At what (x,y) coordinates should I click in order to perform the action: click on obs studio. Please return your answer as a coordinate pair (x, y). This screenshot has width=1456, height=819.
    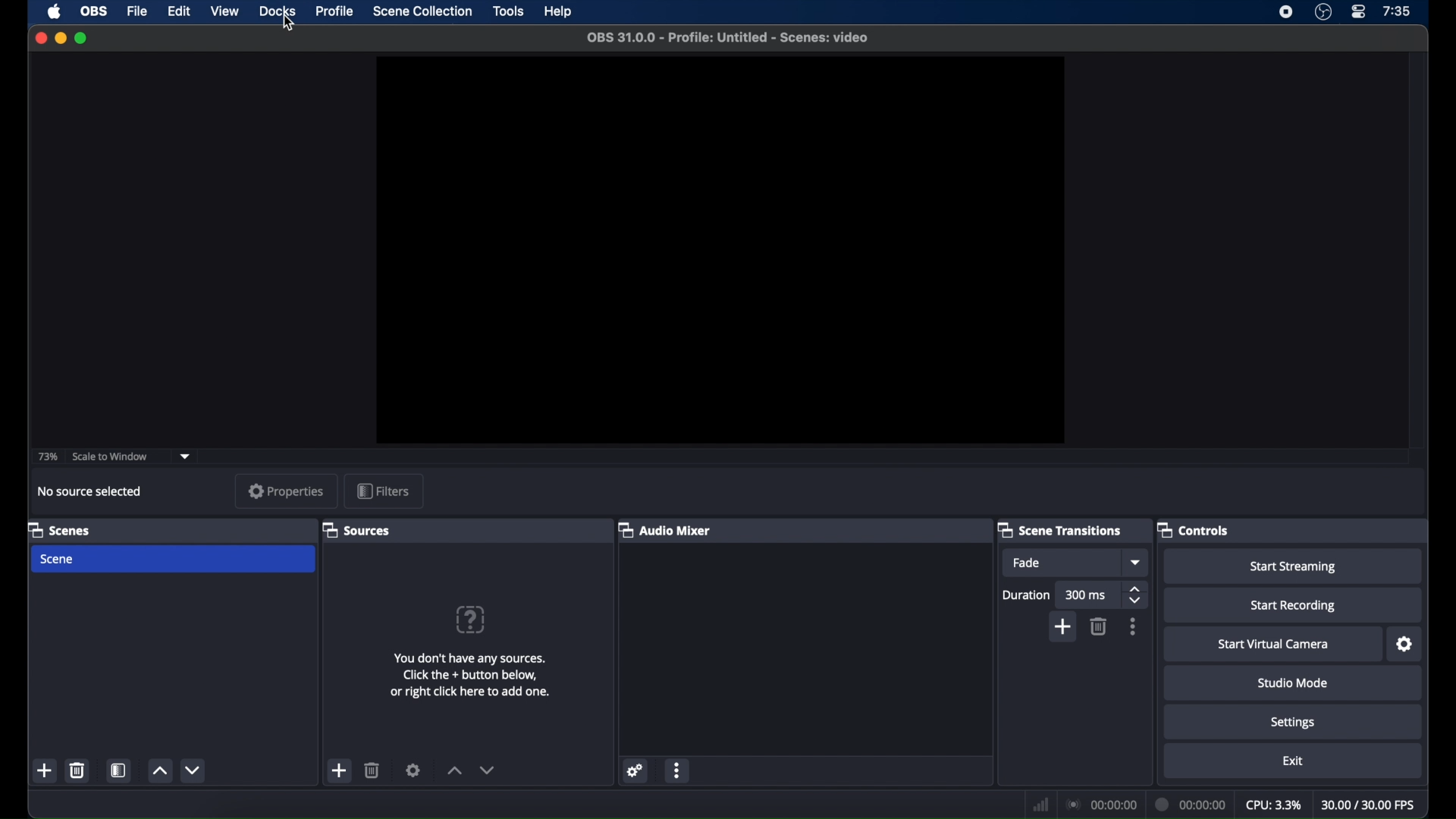
    Looking at the image, I should click on (1323, 12).